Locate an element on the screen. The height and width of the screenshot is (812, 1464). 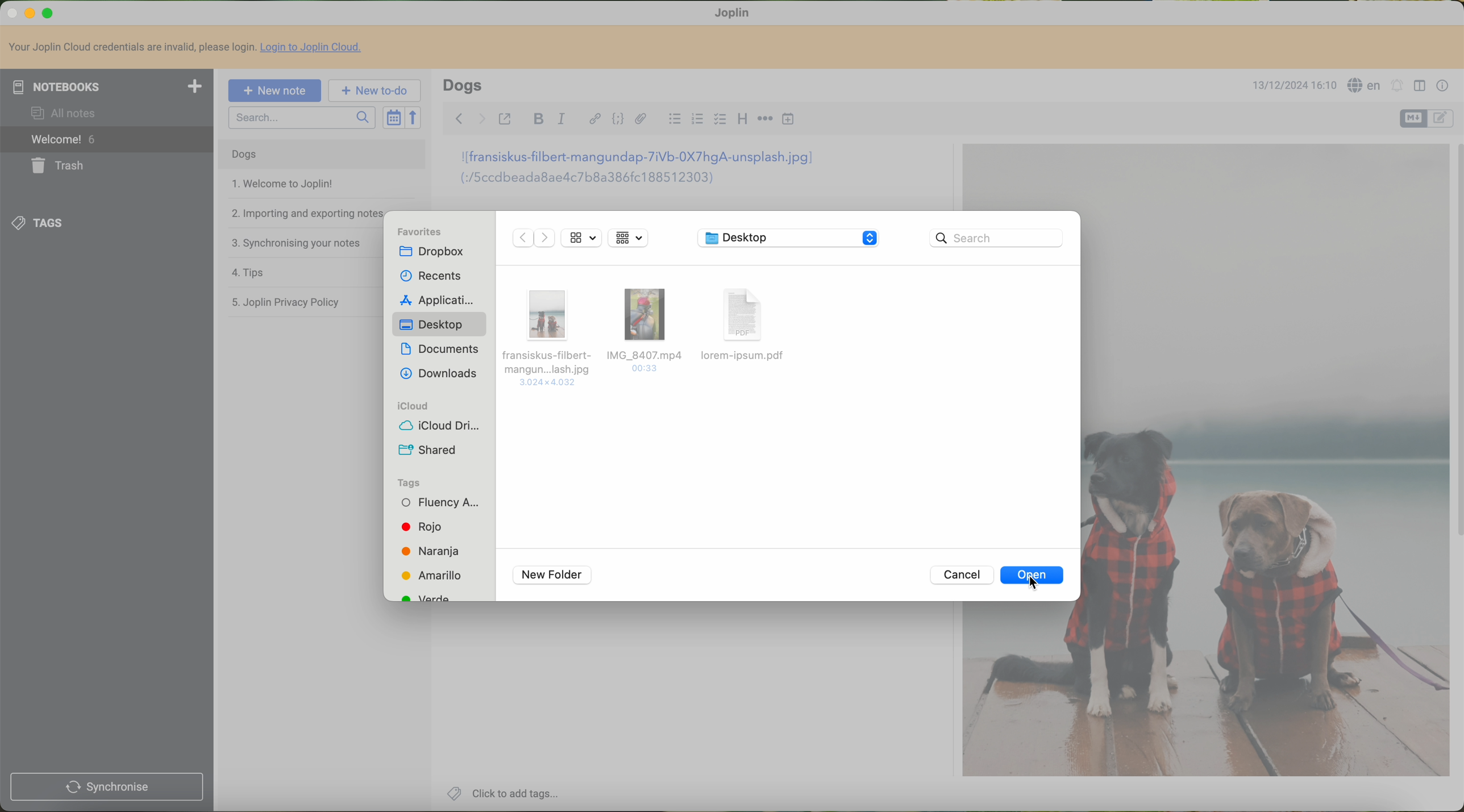
downloads is located at coordinates (440, 373).